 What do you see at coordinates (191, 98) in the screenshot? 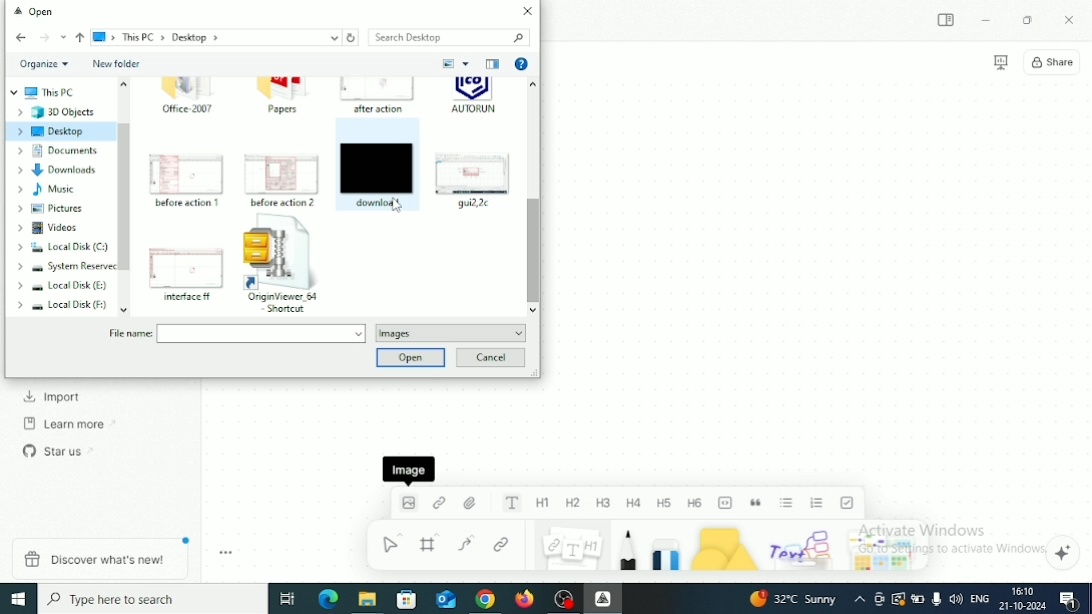
I see `Office 2007` at bounding box center [191, 98].